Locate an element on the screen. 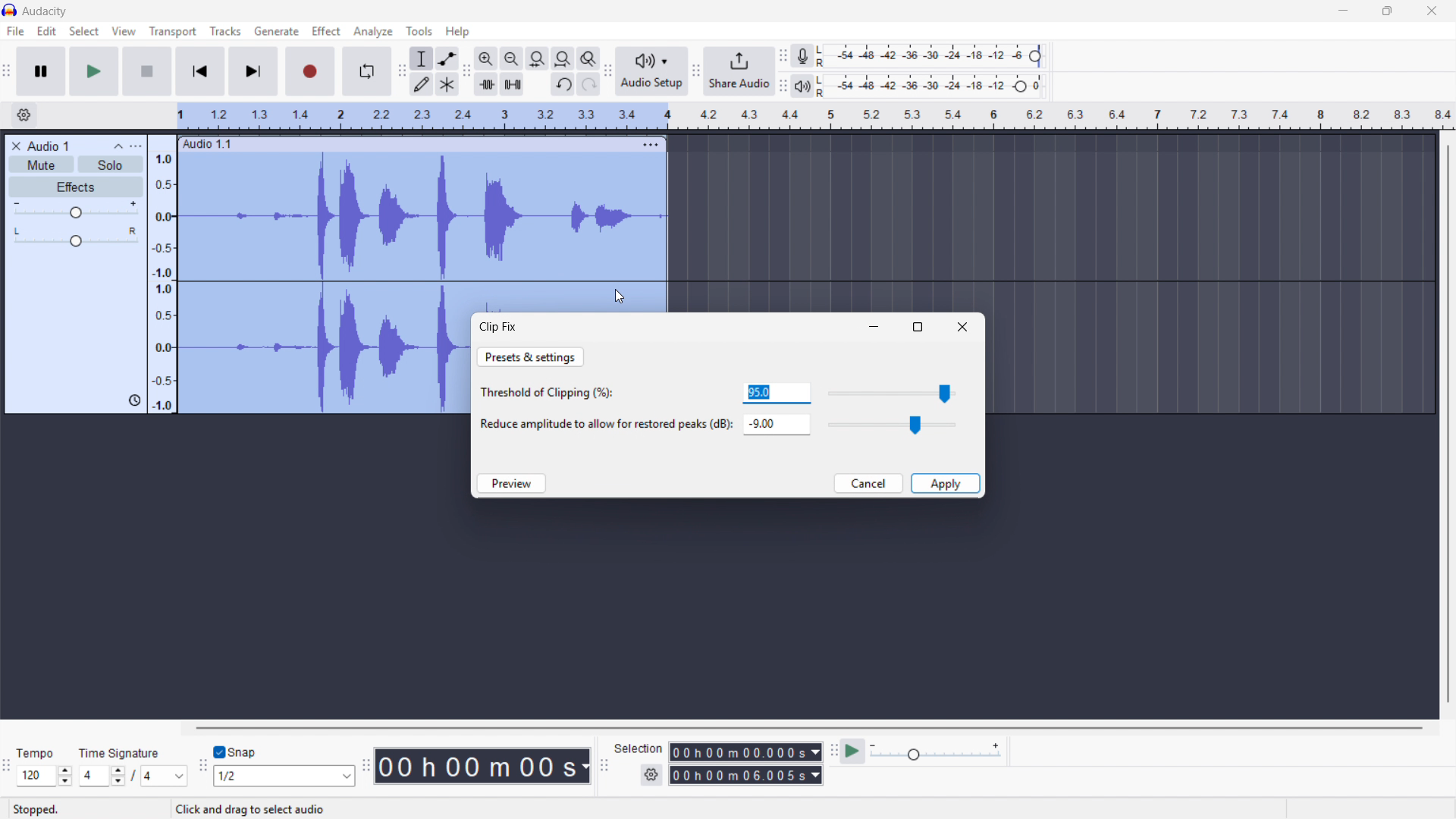  Record  is located at coordinates (311, 71).